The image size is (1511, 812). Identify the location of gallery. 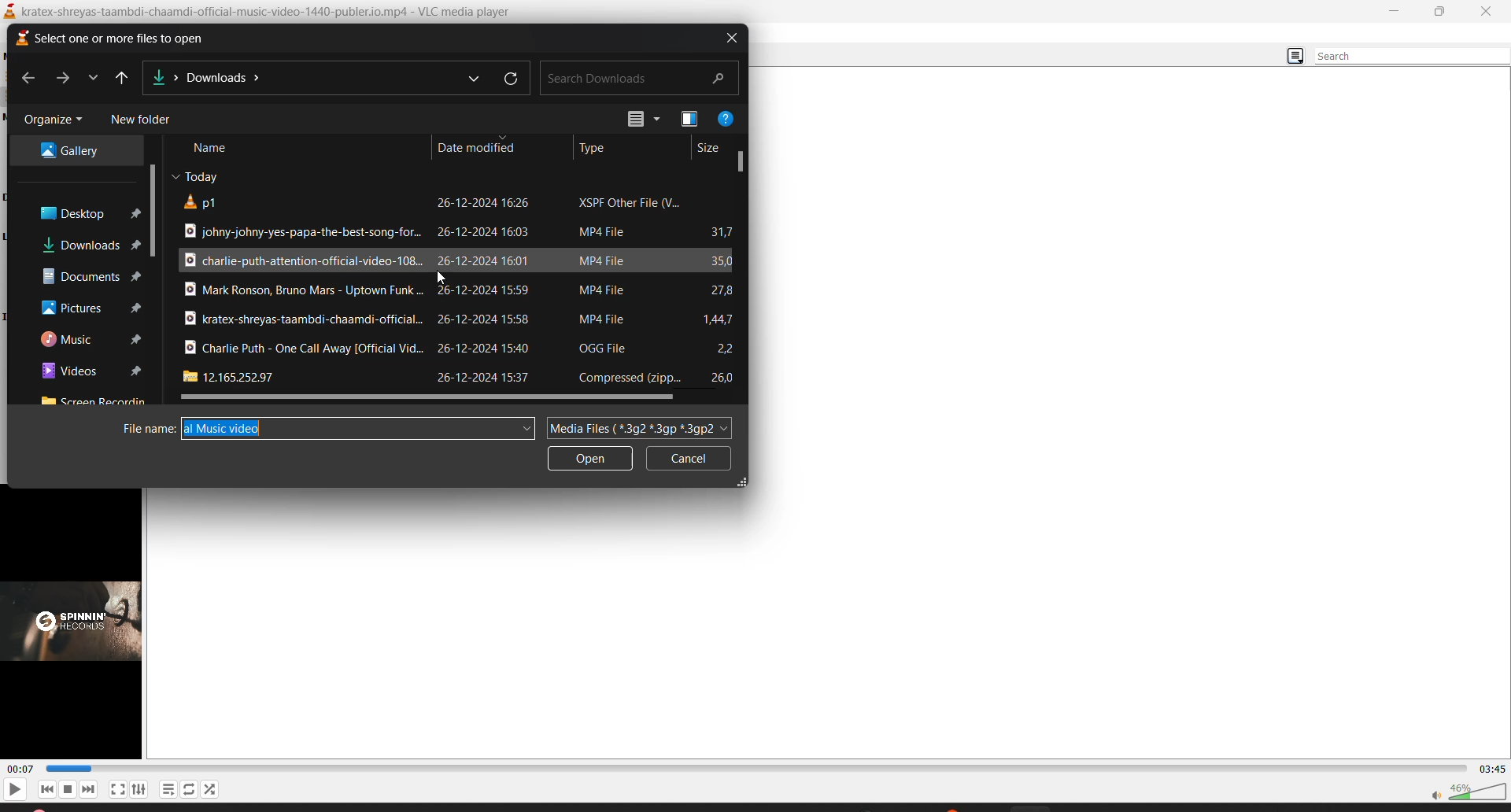
(79, 151).